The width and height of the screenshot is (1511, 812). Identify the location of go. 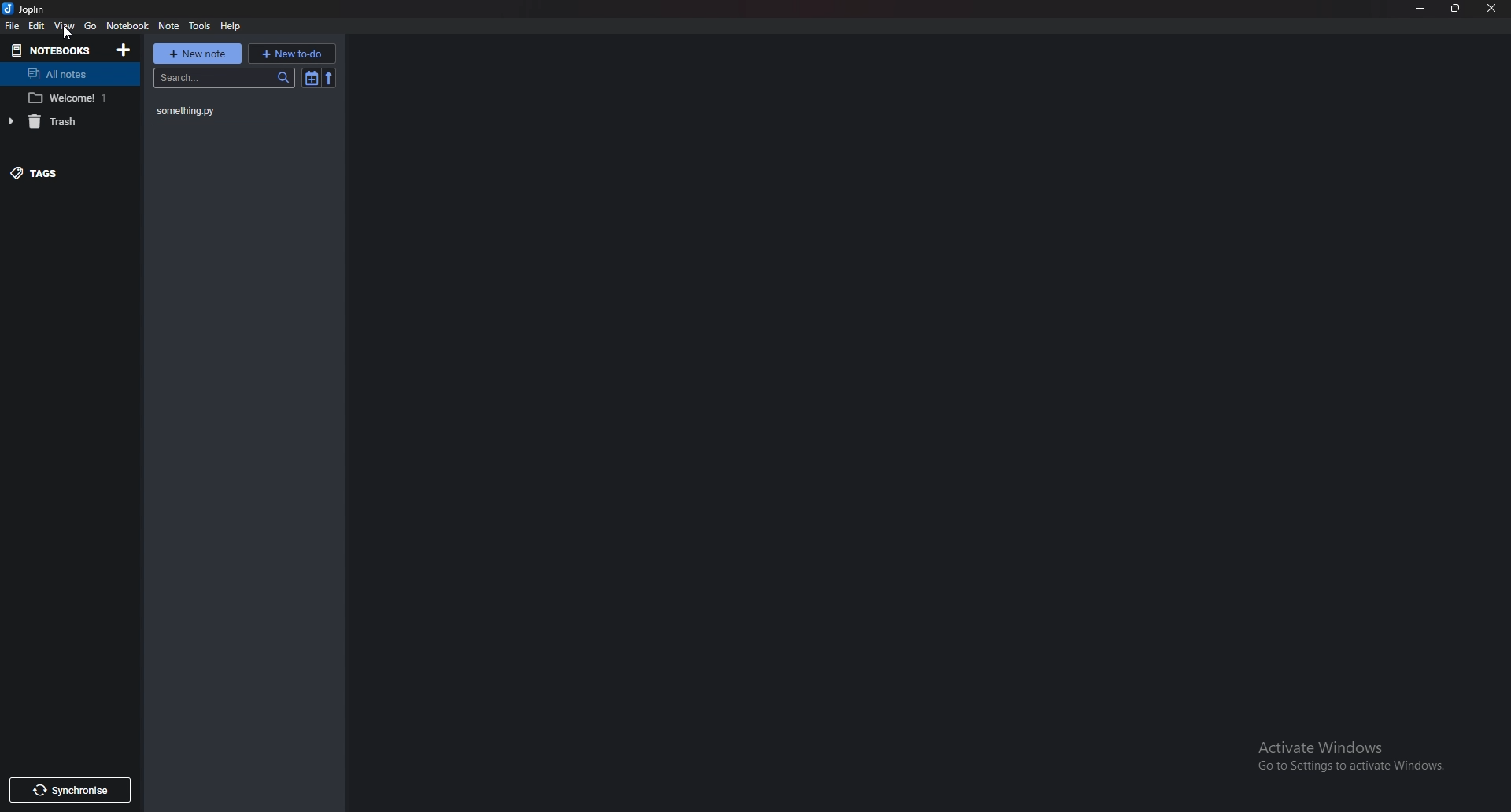
(92, 24).